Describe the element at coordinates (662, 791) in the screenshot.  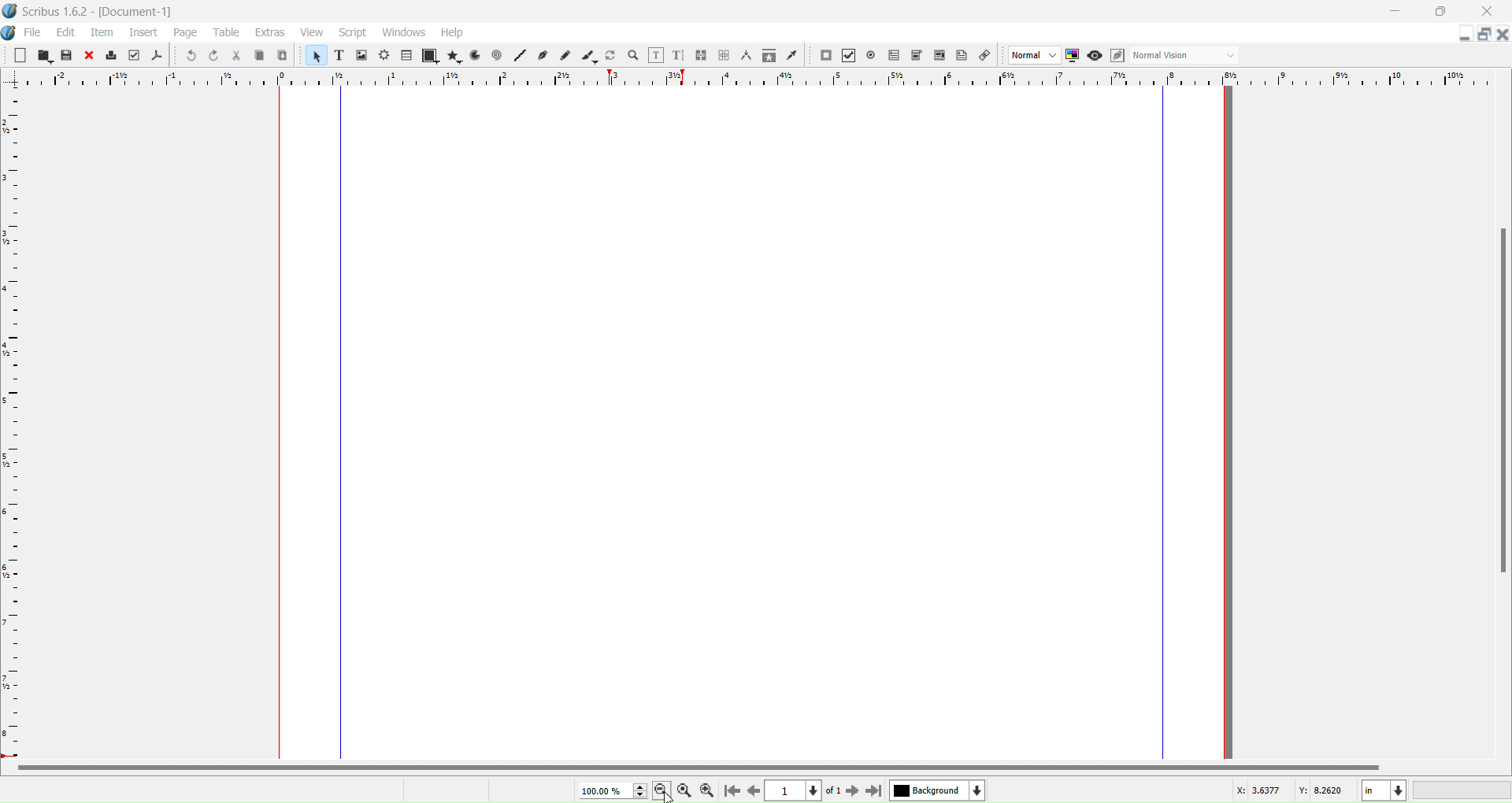
I see `Zoom Out by the stepping value in Tools preferences` at that location.